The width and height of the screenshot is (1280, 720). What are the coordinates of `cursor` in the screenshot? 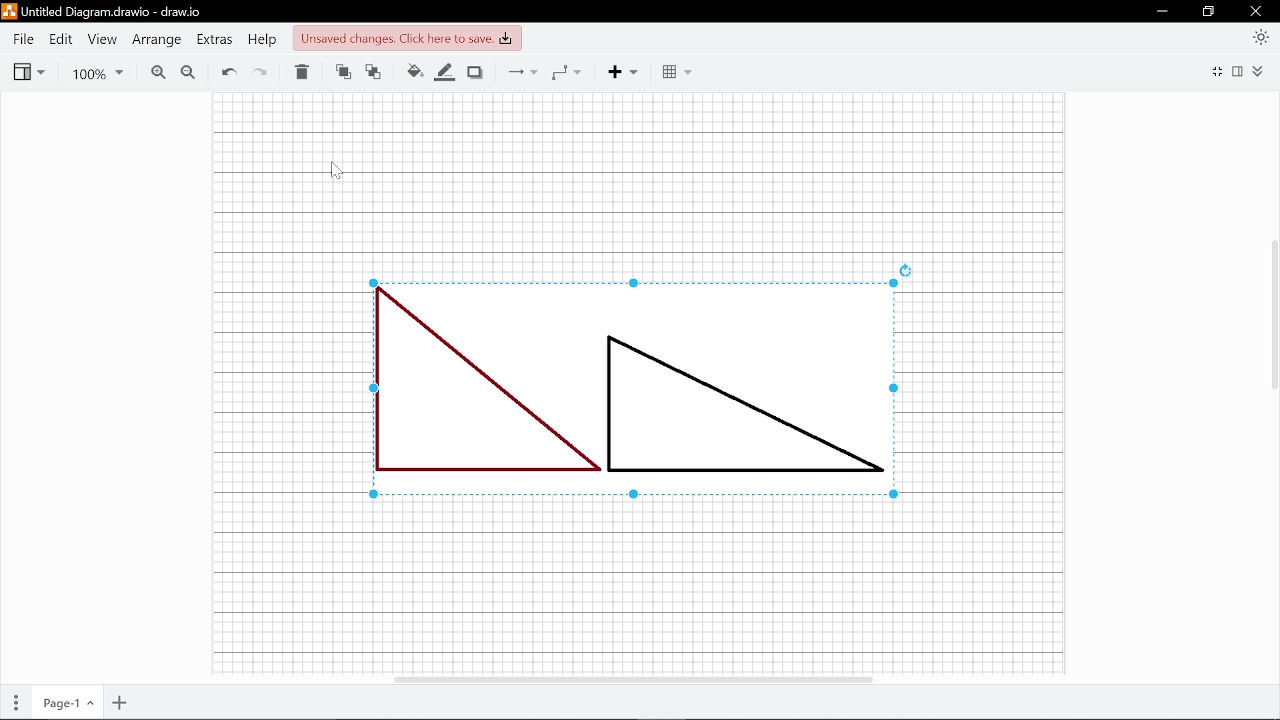 It's located at (334, 171).